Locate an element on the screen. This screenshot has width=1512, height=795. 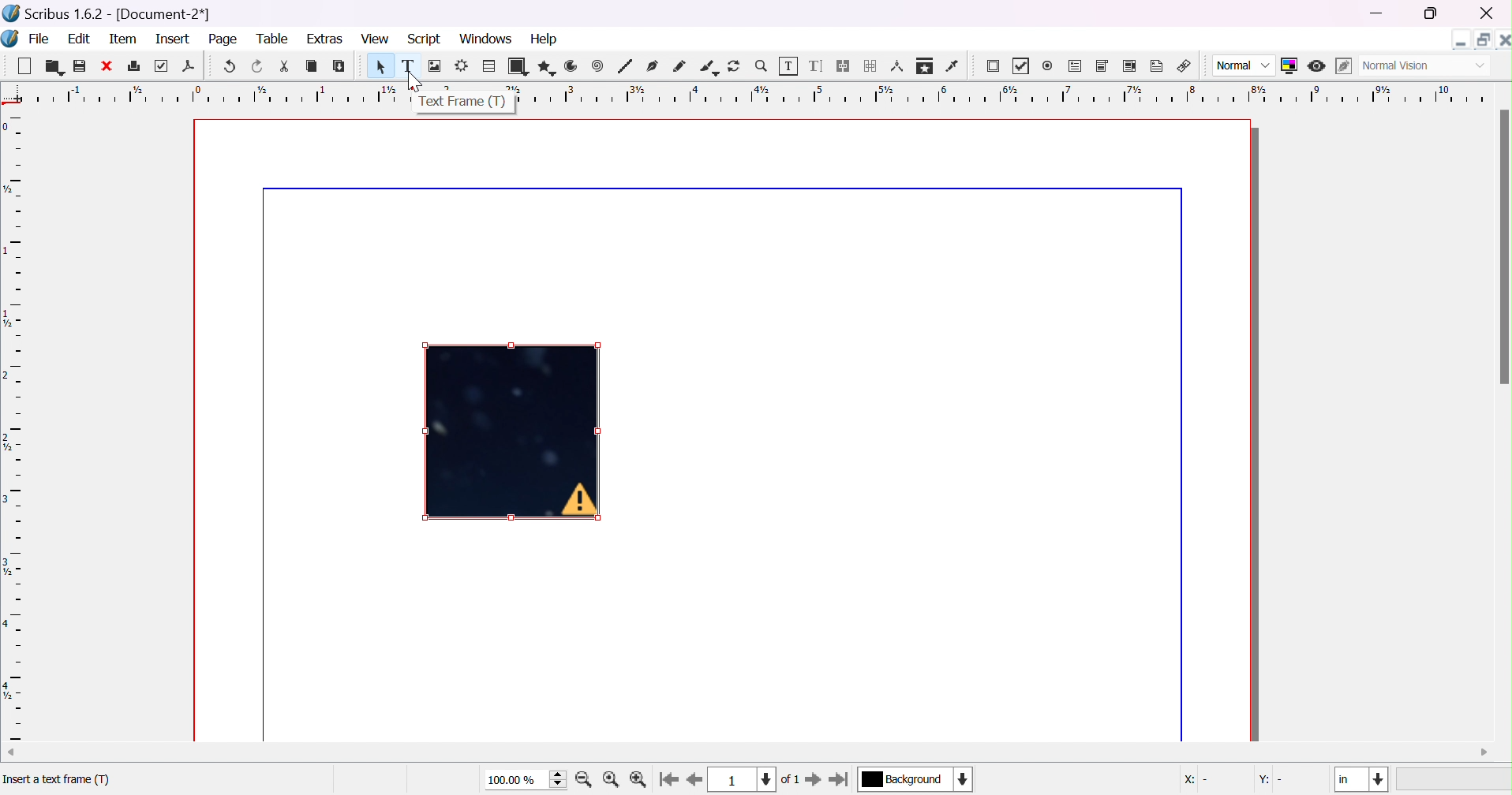
normal is located at coordinates (1244, 66).